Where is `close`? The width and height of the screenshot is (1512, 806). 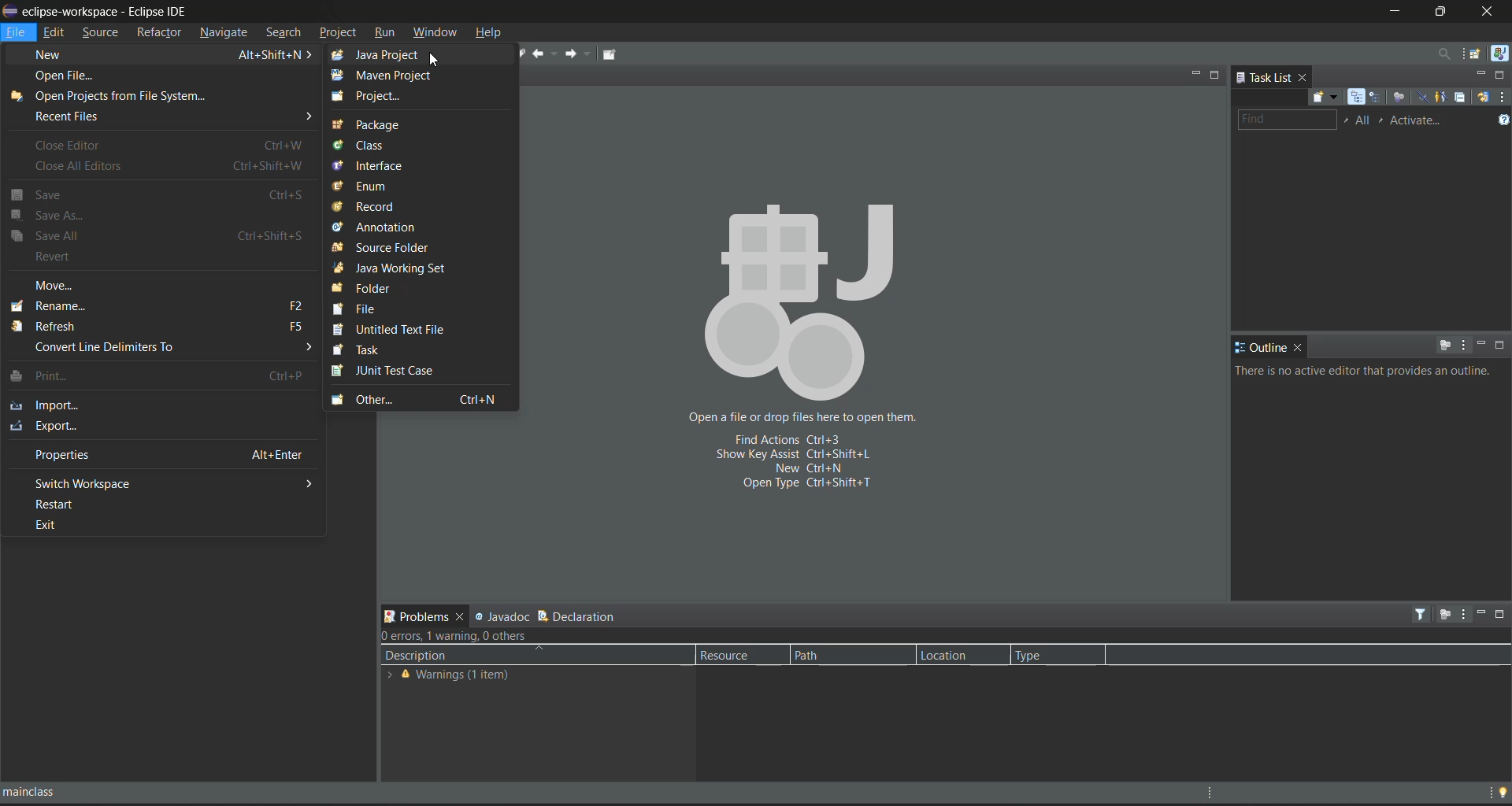
close is located at coordinates (458, 618).